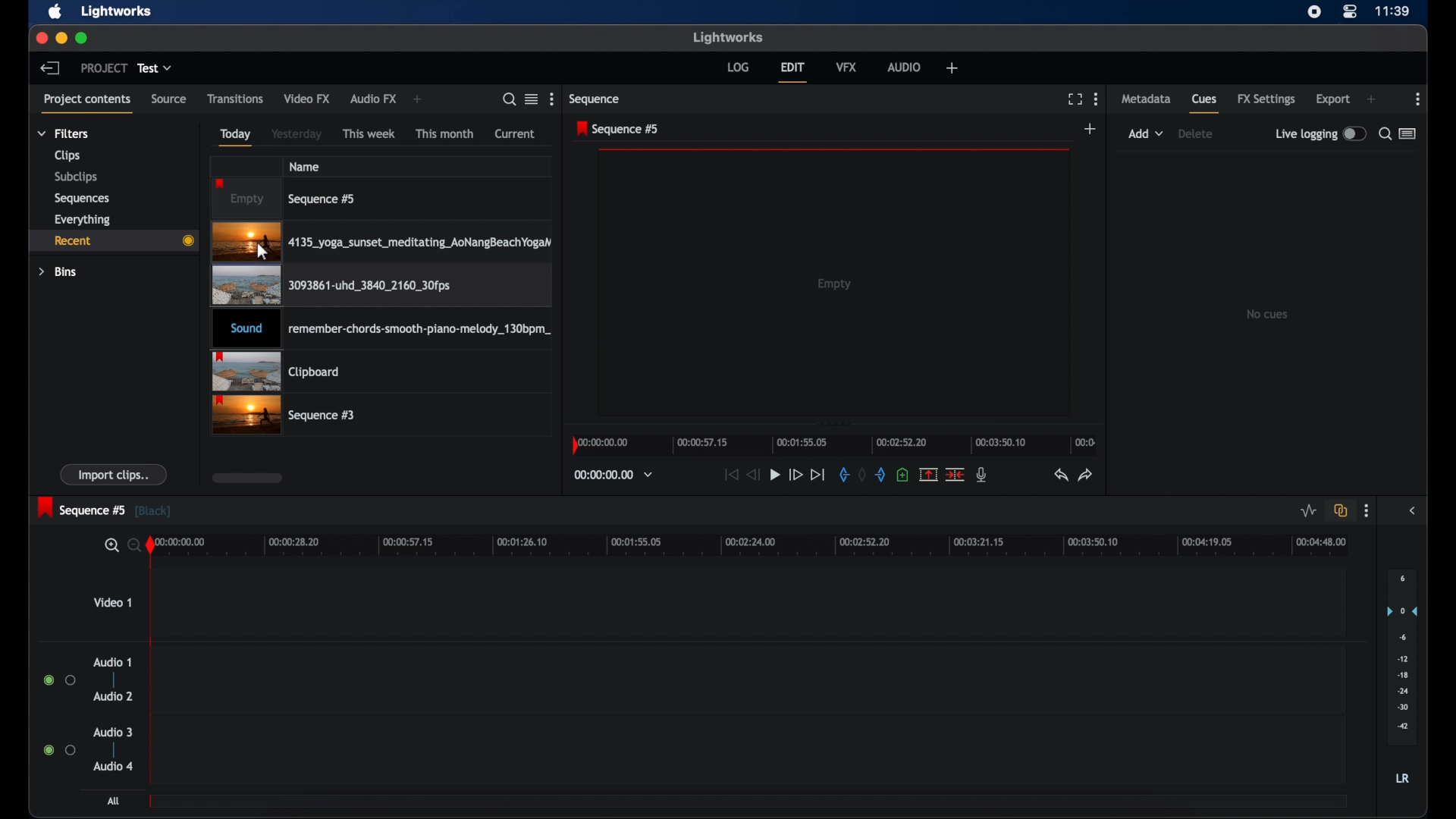 Image resolution: width=1456 pixels, height=819 pixels. Describe the element at coordinates (792, 71) in the screenshot. I see `edit` at that location.